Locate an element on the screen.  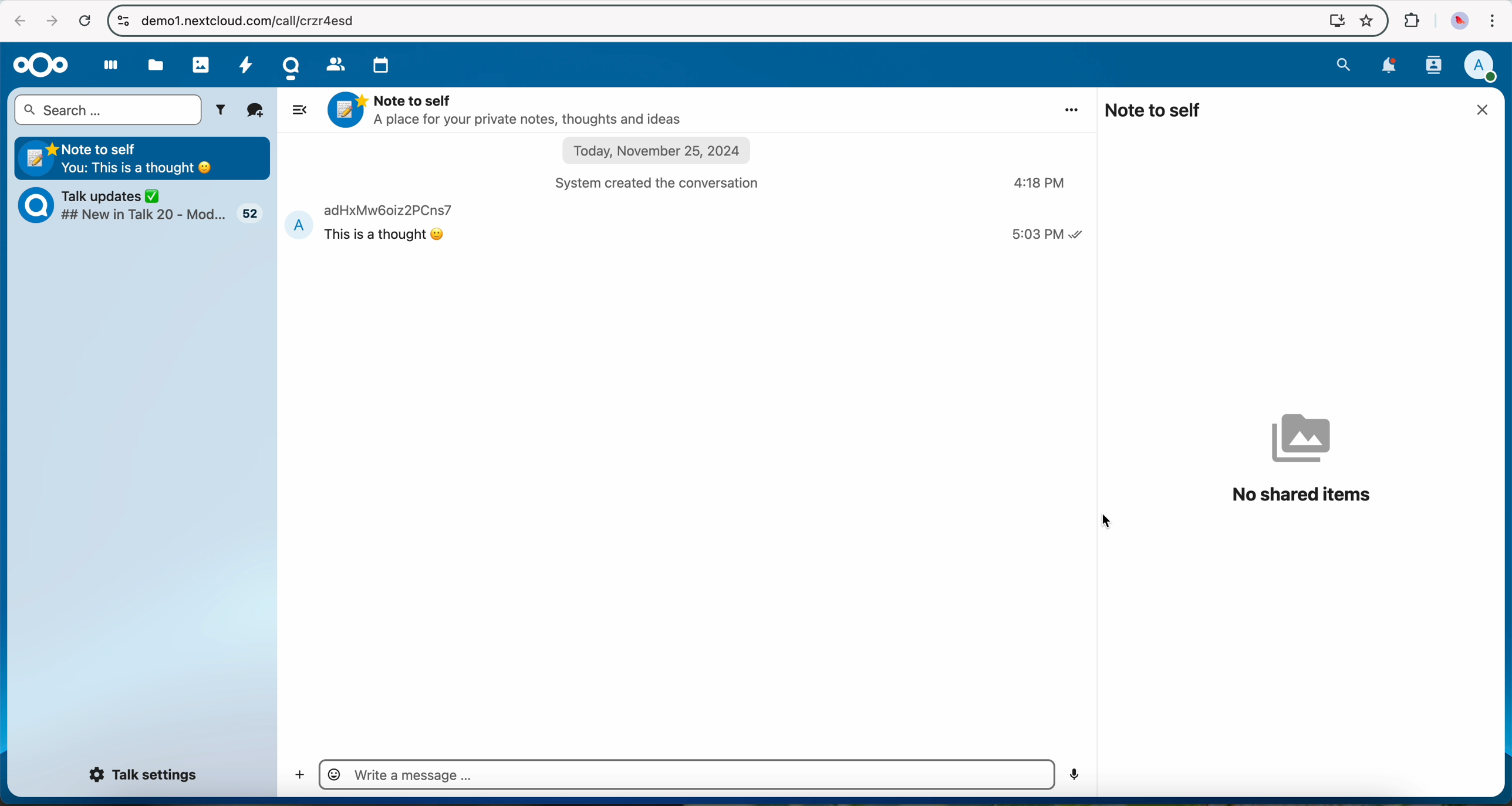
notifications is located at coordinates (1392, 67).